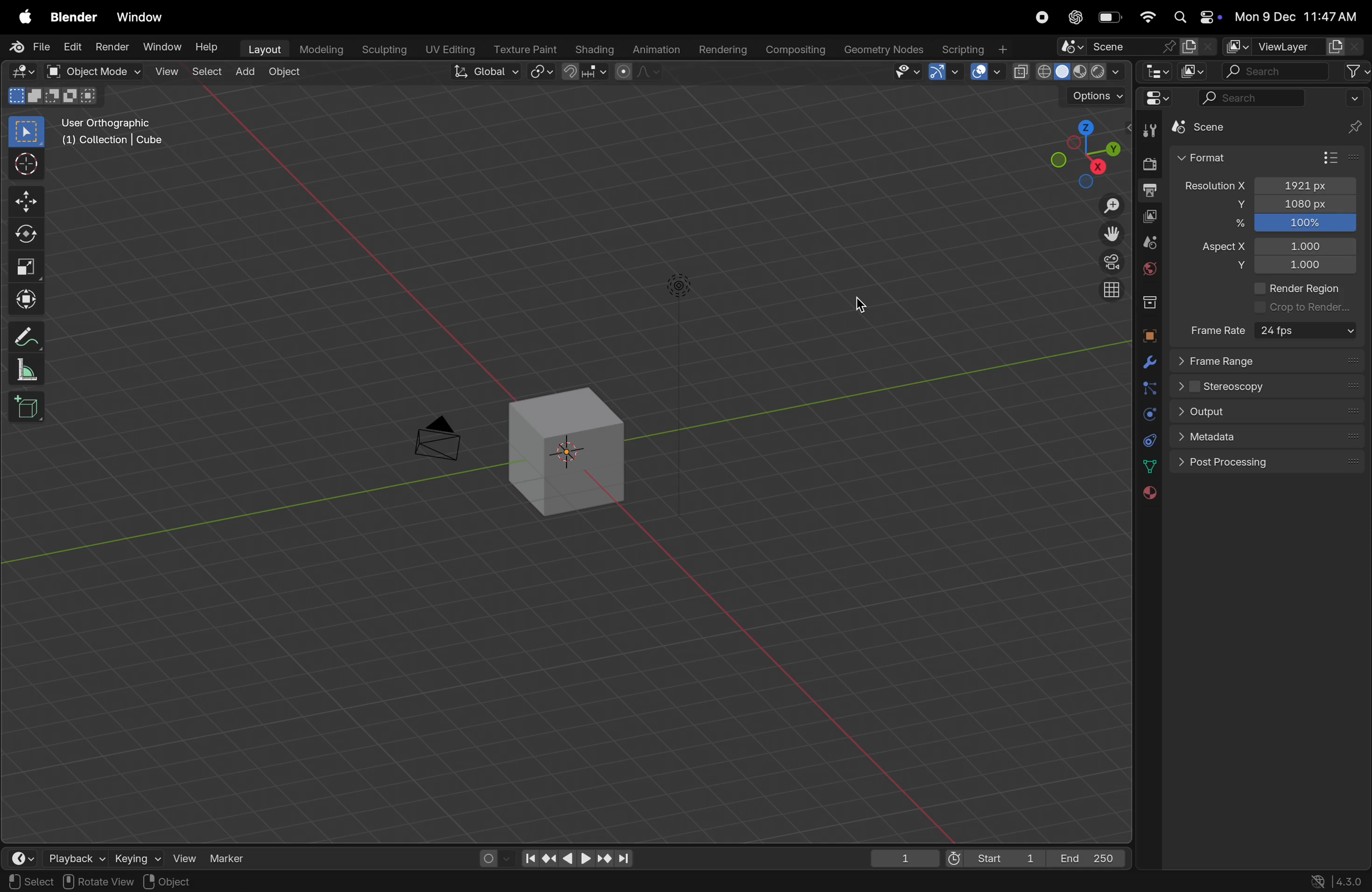 This screenshot has height=892, width=1372. What do you see at coordinates (1149, 271) in the screenshot?
I see `world` at bounding box center [1149, 271].